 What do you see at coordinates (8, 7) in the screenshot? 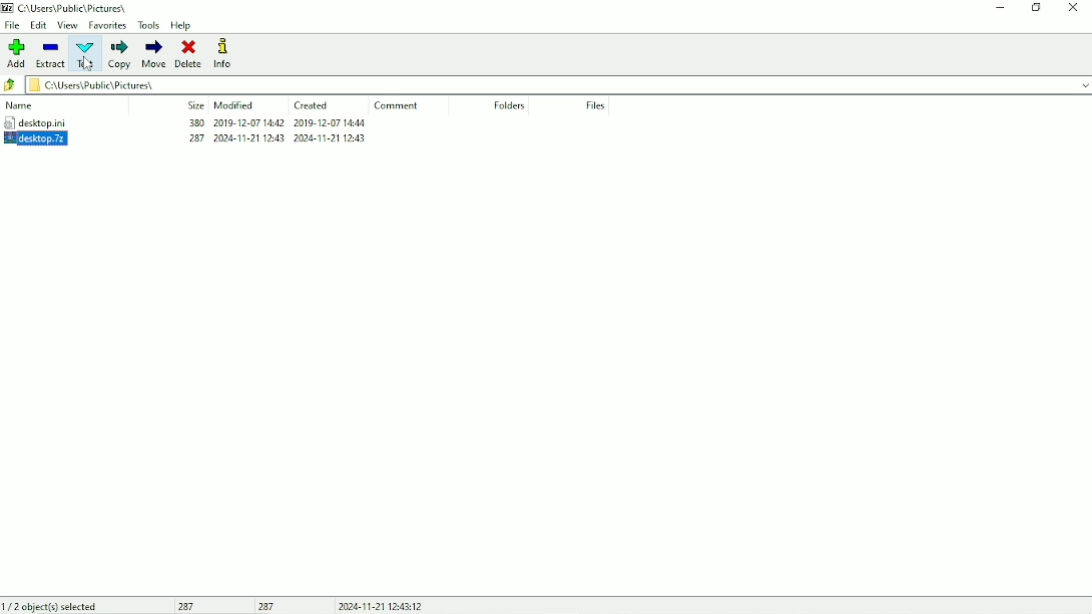
I see `7 zip logo` at bounding box center [8, 7].